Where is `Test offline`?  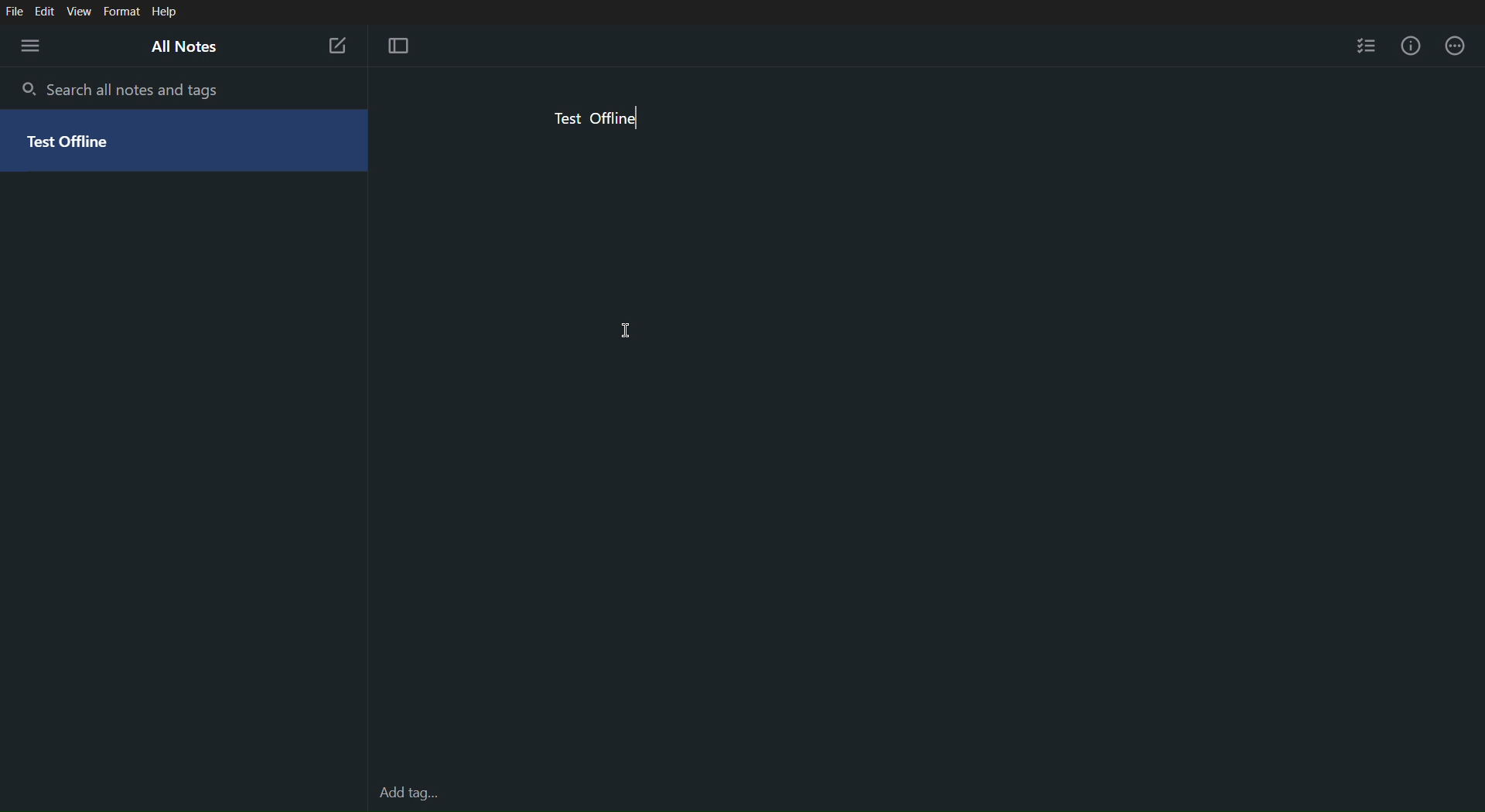
Test offline is located at coordinates (597, 121).